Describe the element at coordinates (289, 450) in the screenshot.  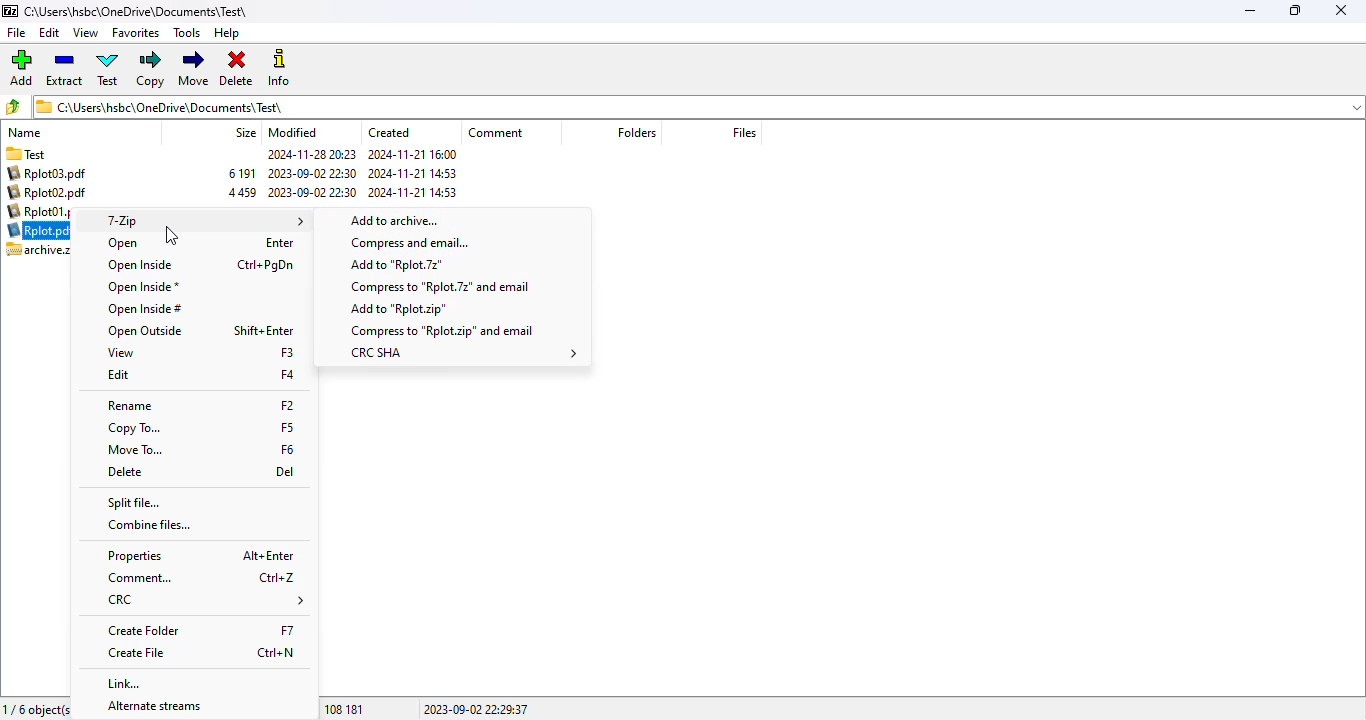
I see `shortcut for move to` at that location.